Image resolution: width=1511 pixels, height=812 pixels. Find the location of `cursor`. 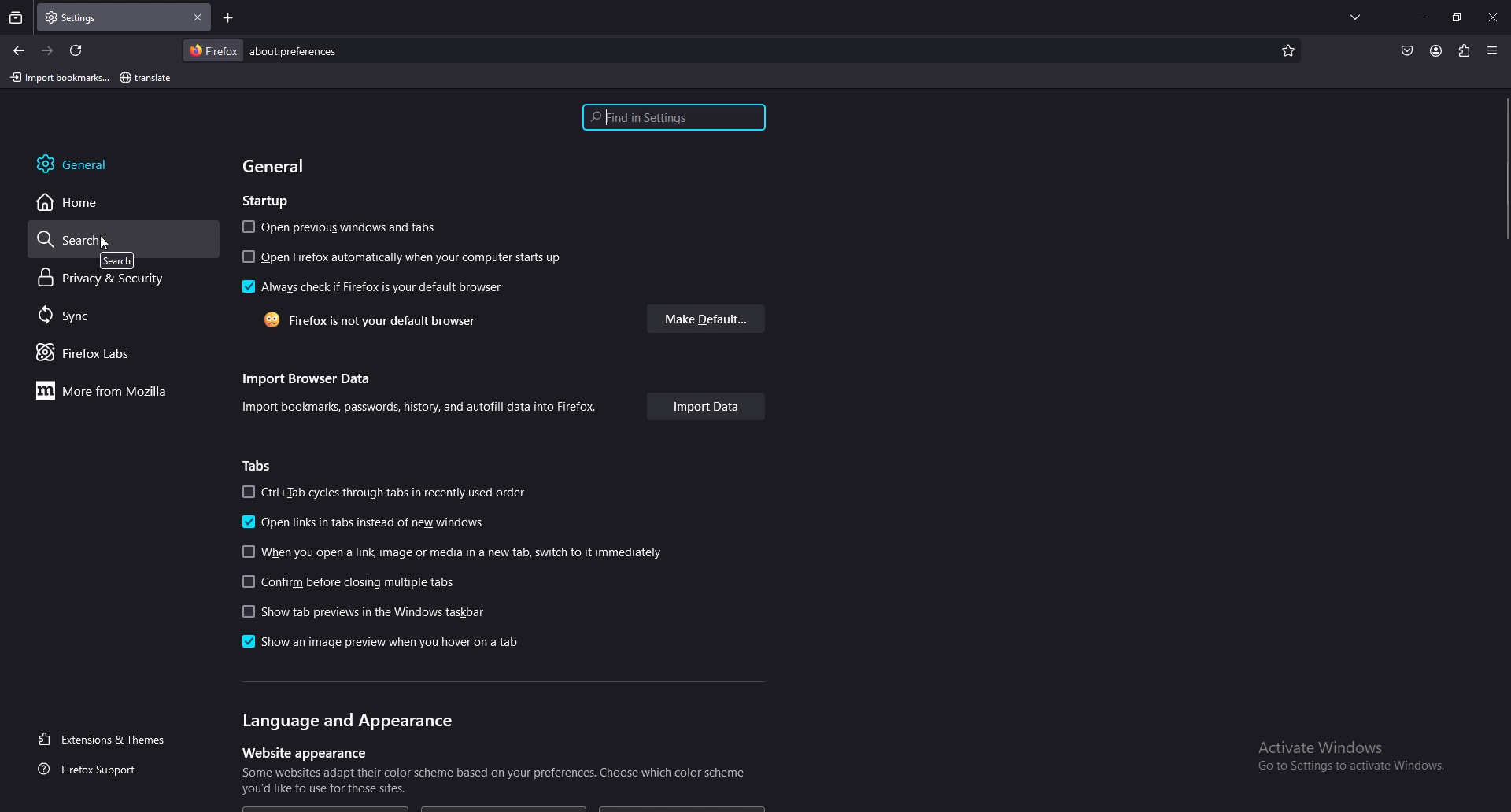

cursor is located at coordinates (107, 242).